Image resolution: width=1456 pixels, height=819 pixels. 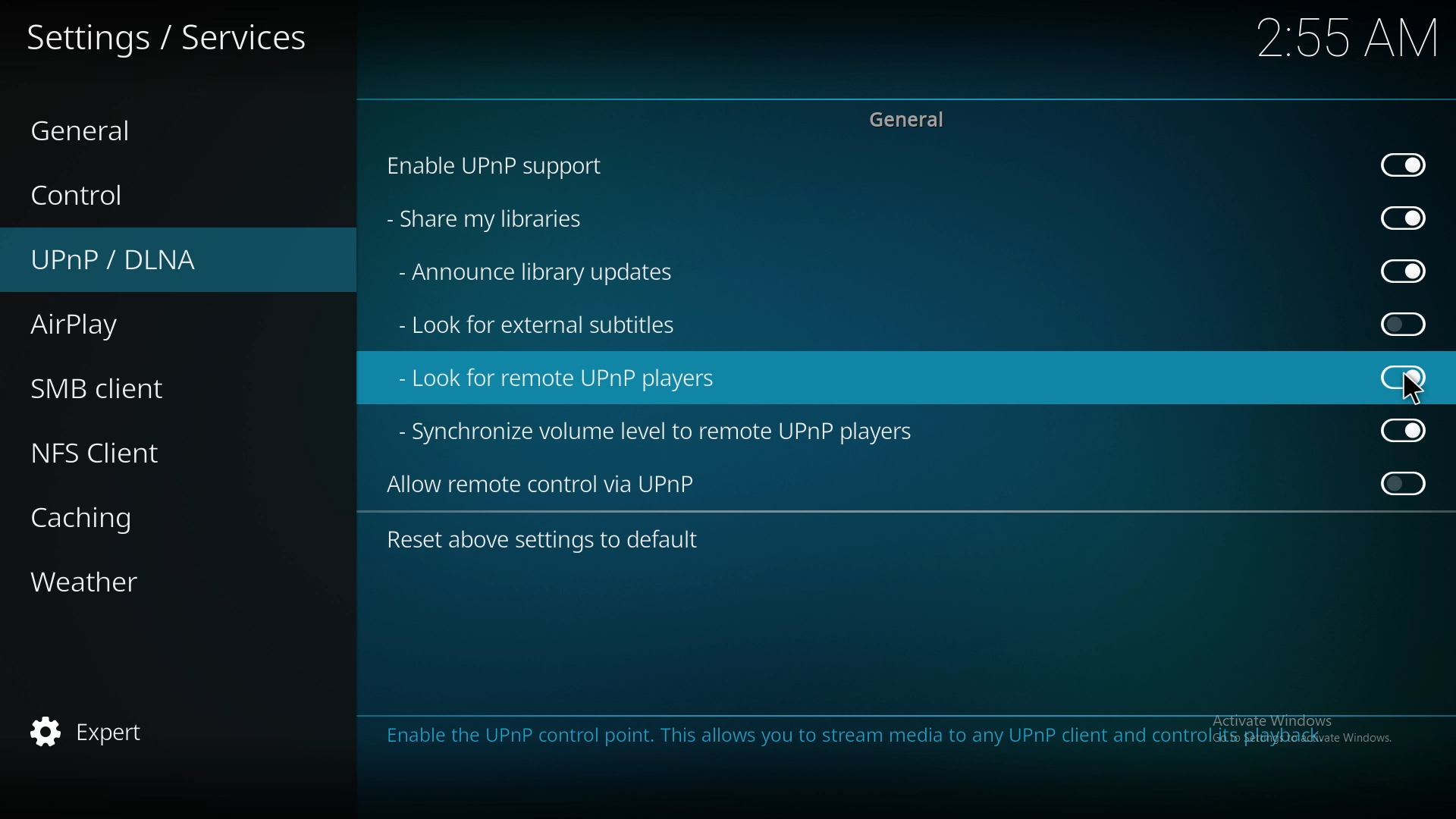 I want to click on On (Greyed out), so click(x=1404, y=429).